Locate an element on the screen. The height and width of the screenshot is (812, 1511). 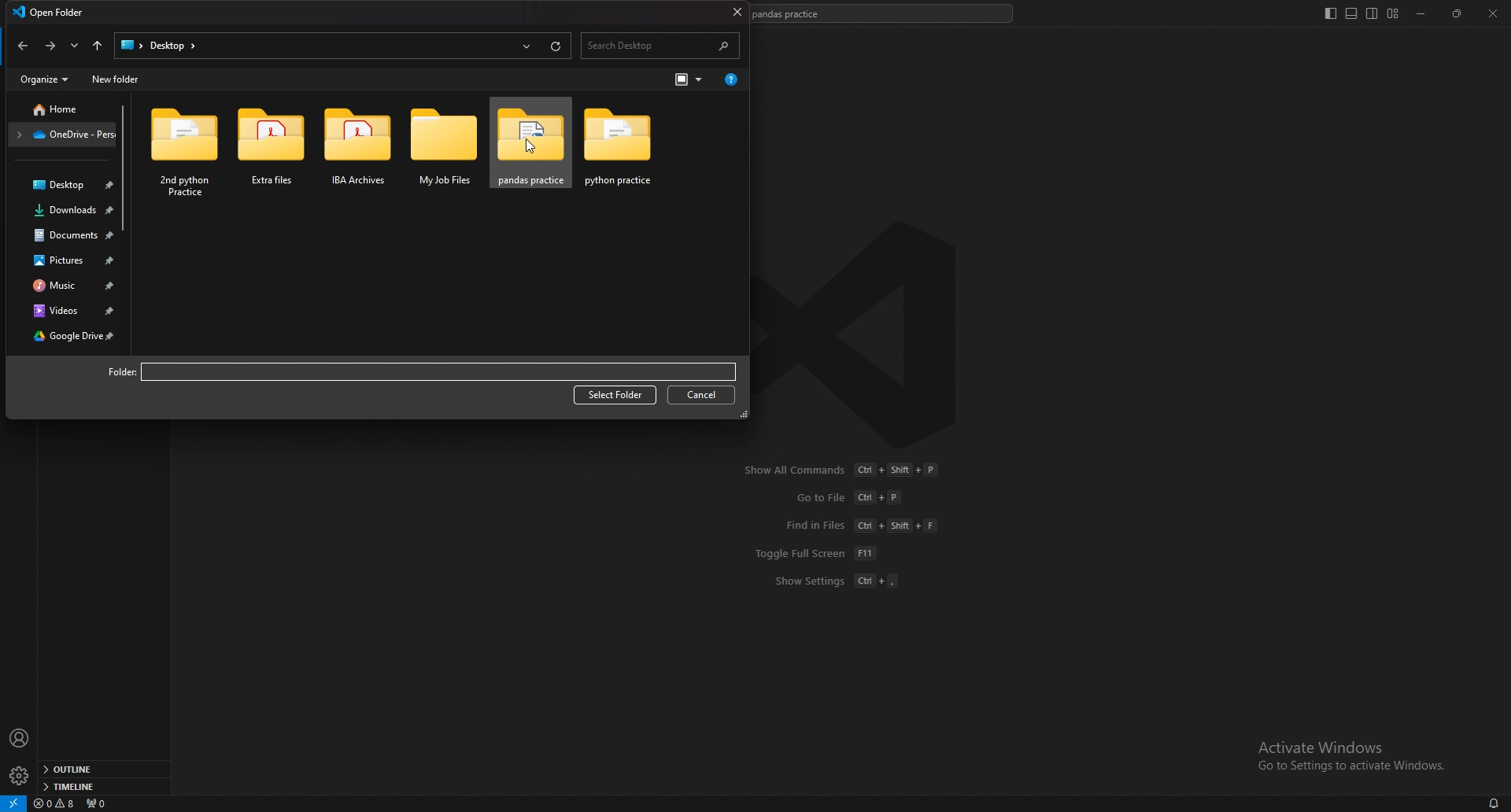
organize is located at coordinates (46, 79).